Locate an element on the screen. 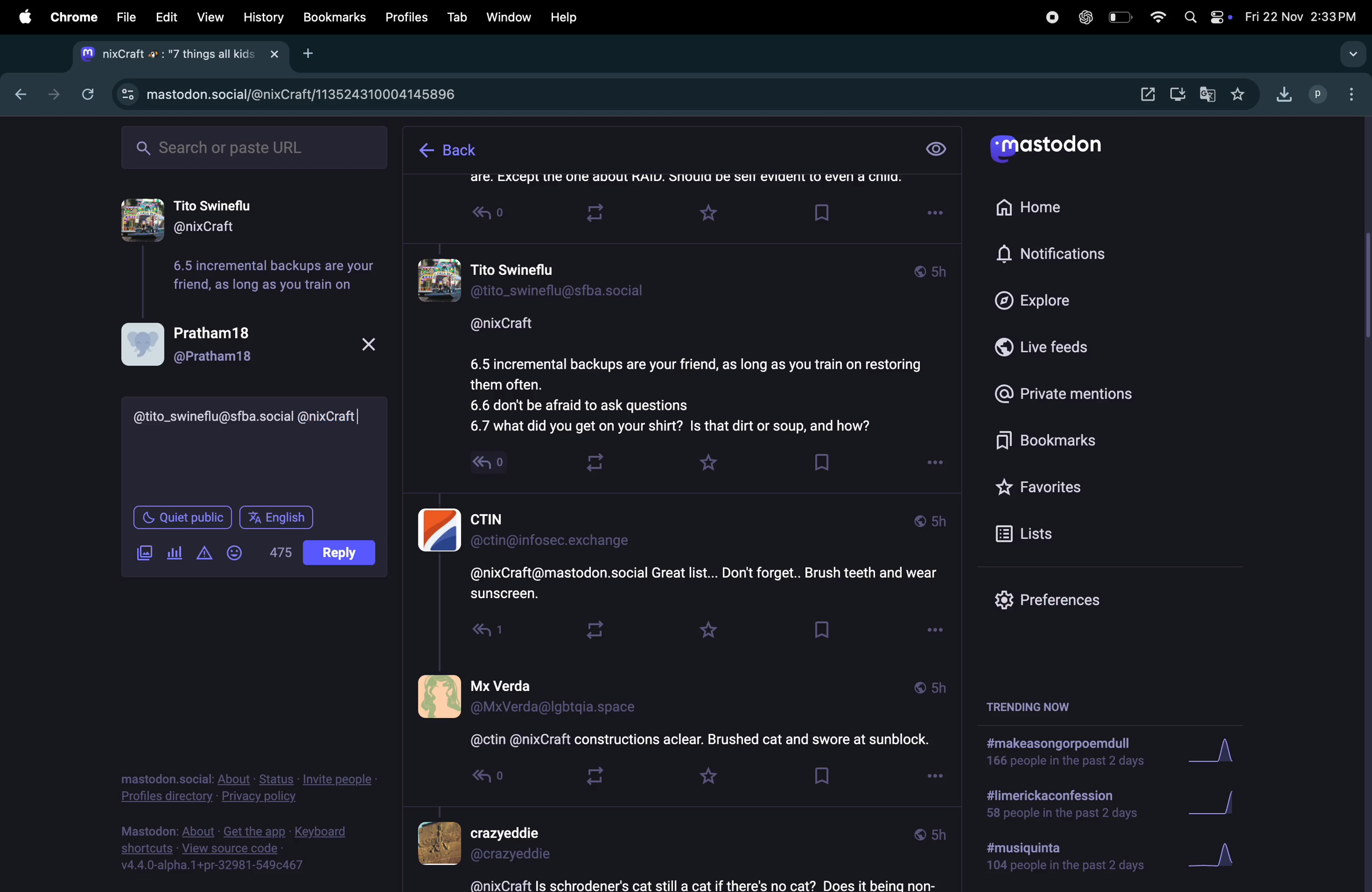  graph is located at coordinates (1222, 800).